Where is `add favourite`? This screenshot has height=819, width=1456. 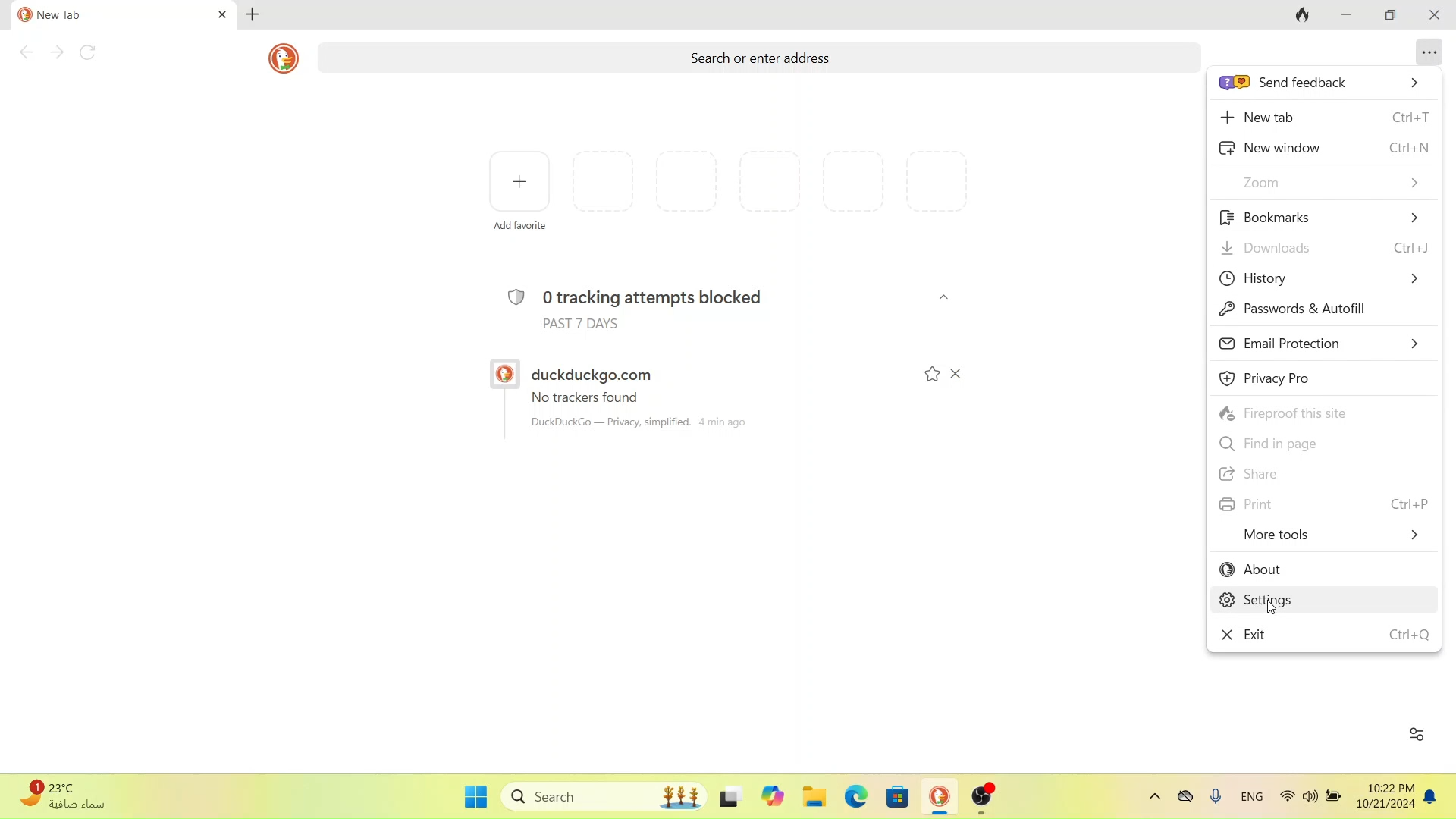 add favourite is located at coordinates (522, 193).